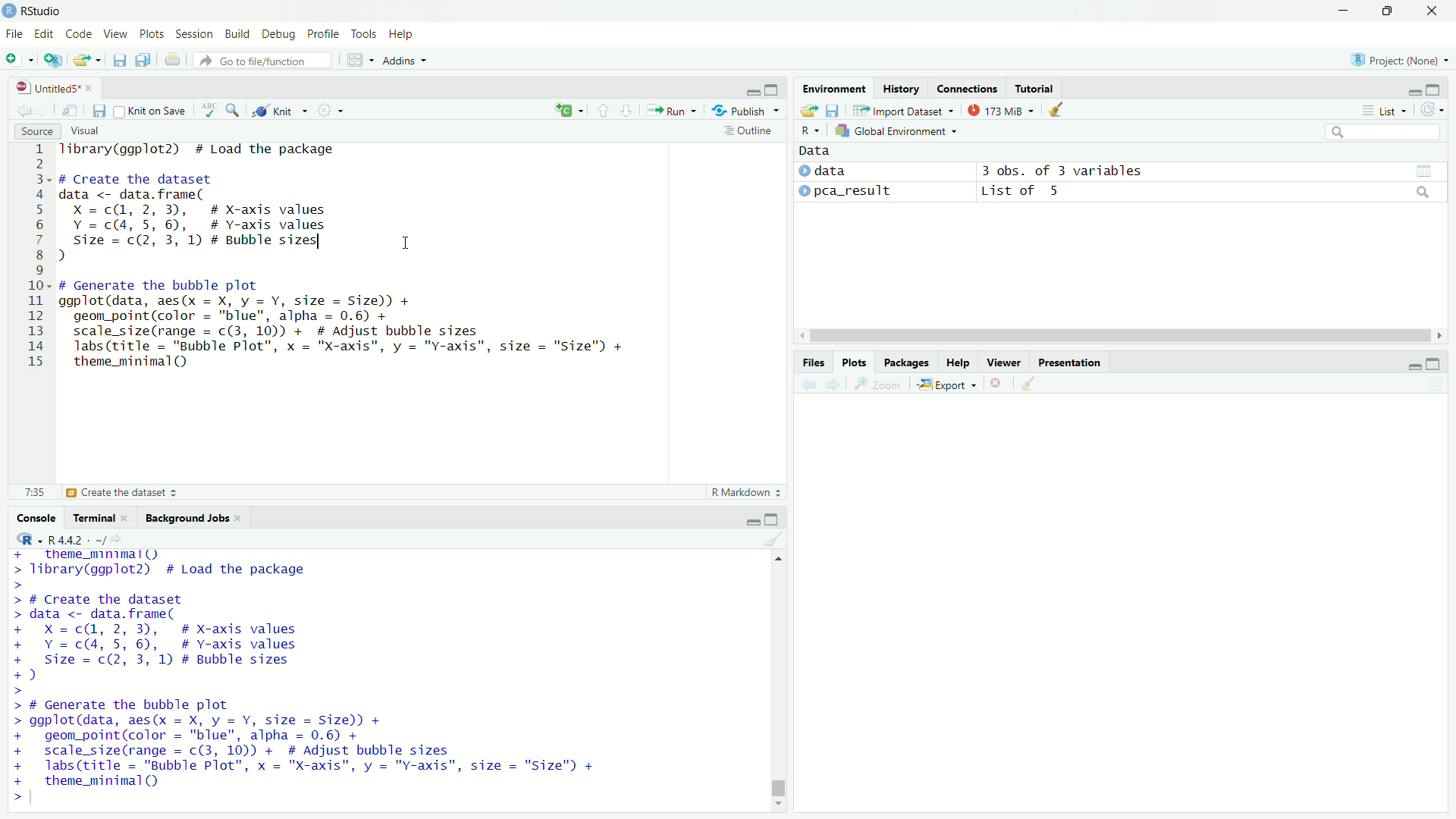  I want to click on publish, so click(745, 109).